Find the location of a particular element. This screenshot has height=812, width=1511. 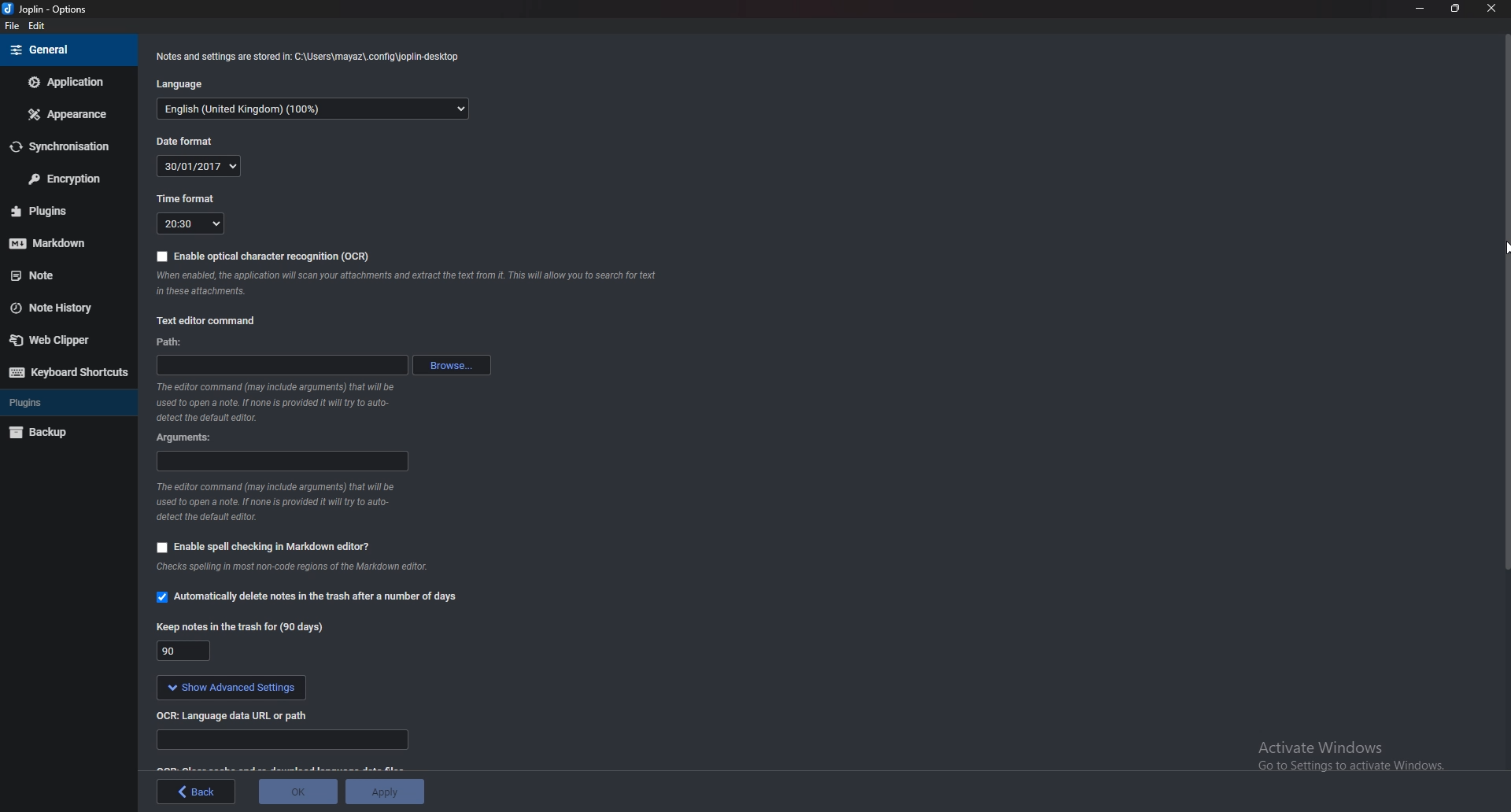

Minimize is located at coordinates (1420, 8).